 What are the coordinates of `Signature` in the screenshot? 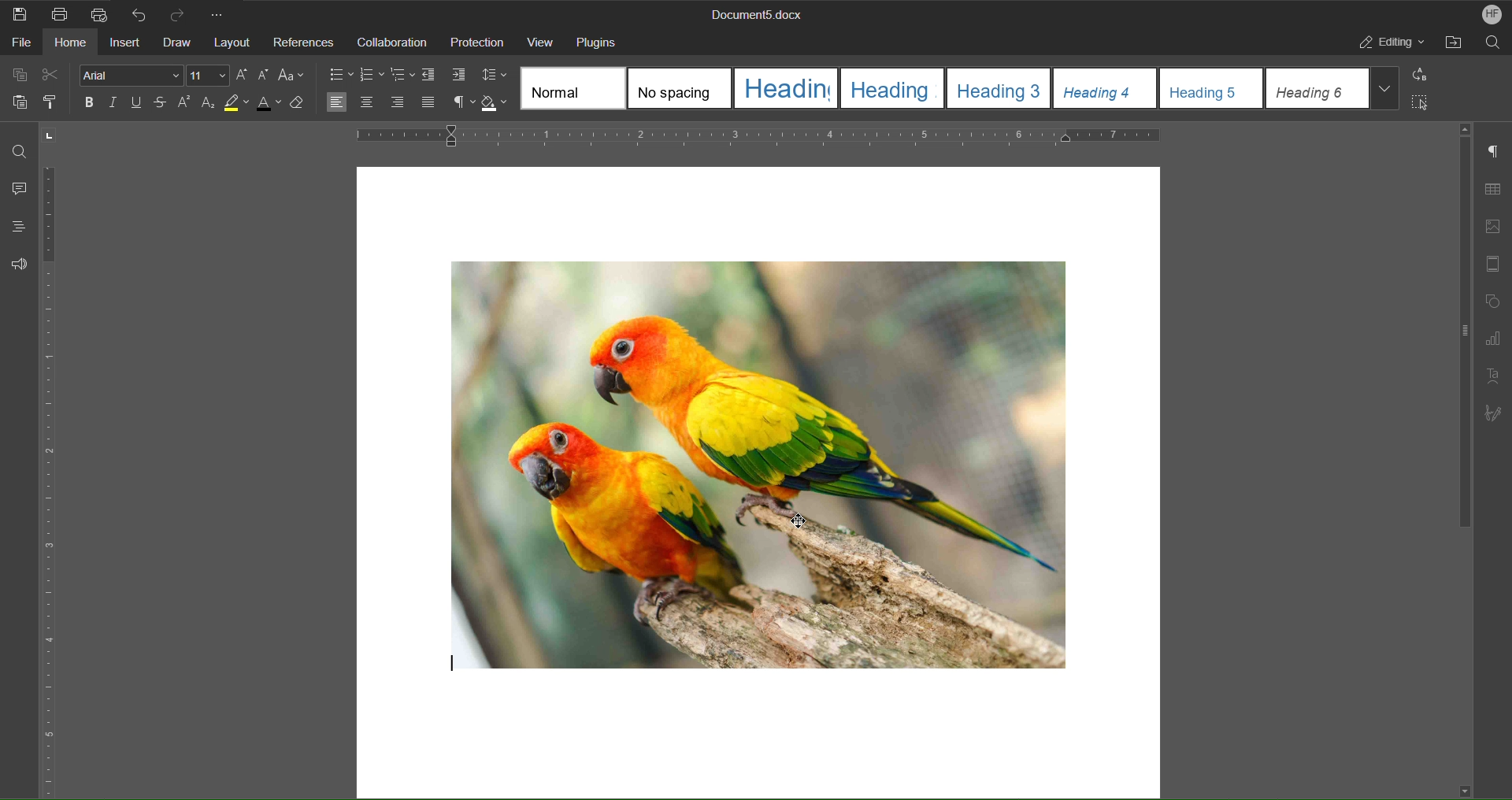 It's located at (1493, 409).